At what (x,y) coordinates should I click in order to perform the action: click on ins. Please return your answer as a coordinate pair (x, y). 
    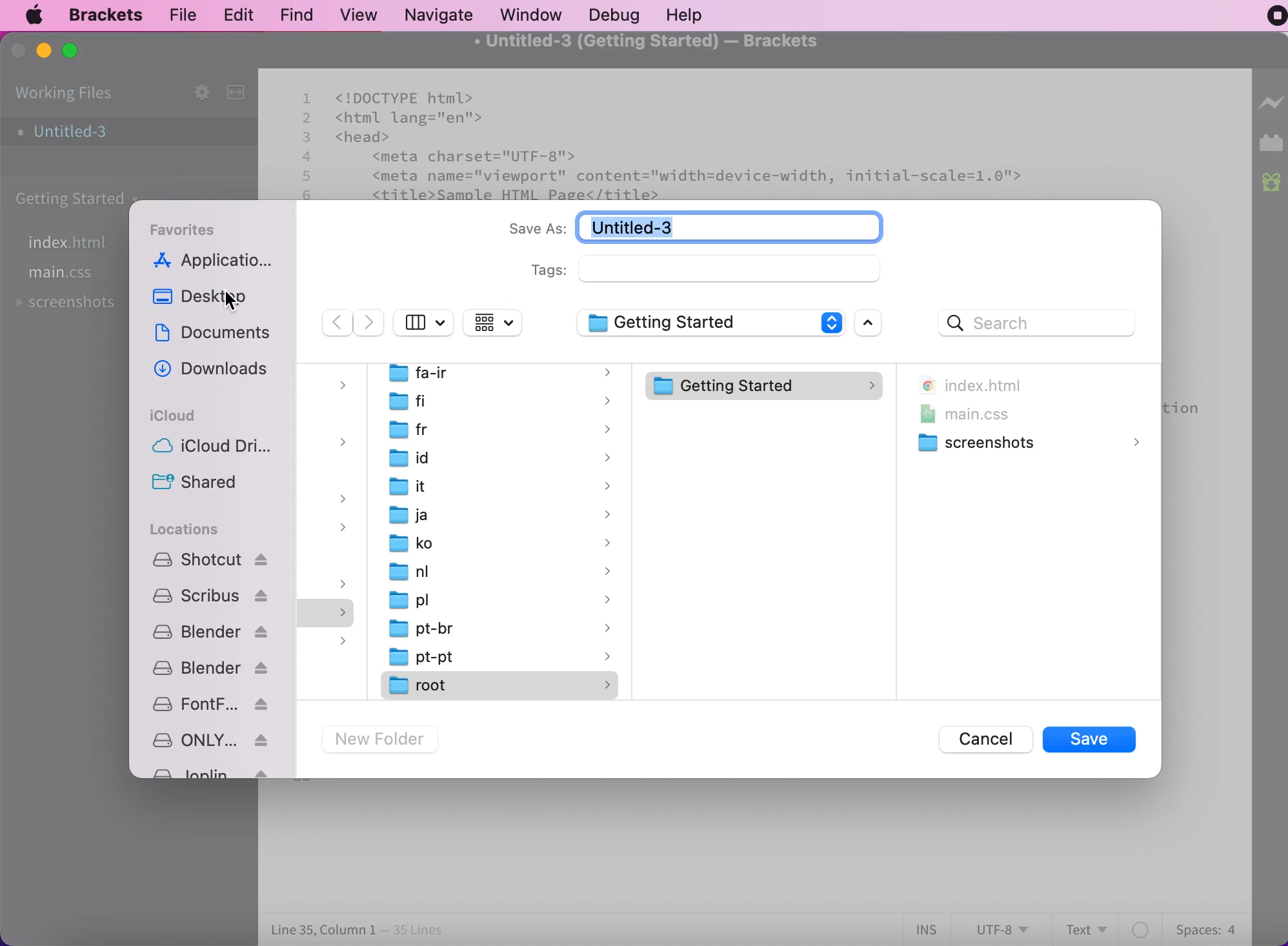
    Looking at the image, I should click on (930, 929).